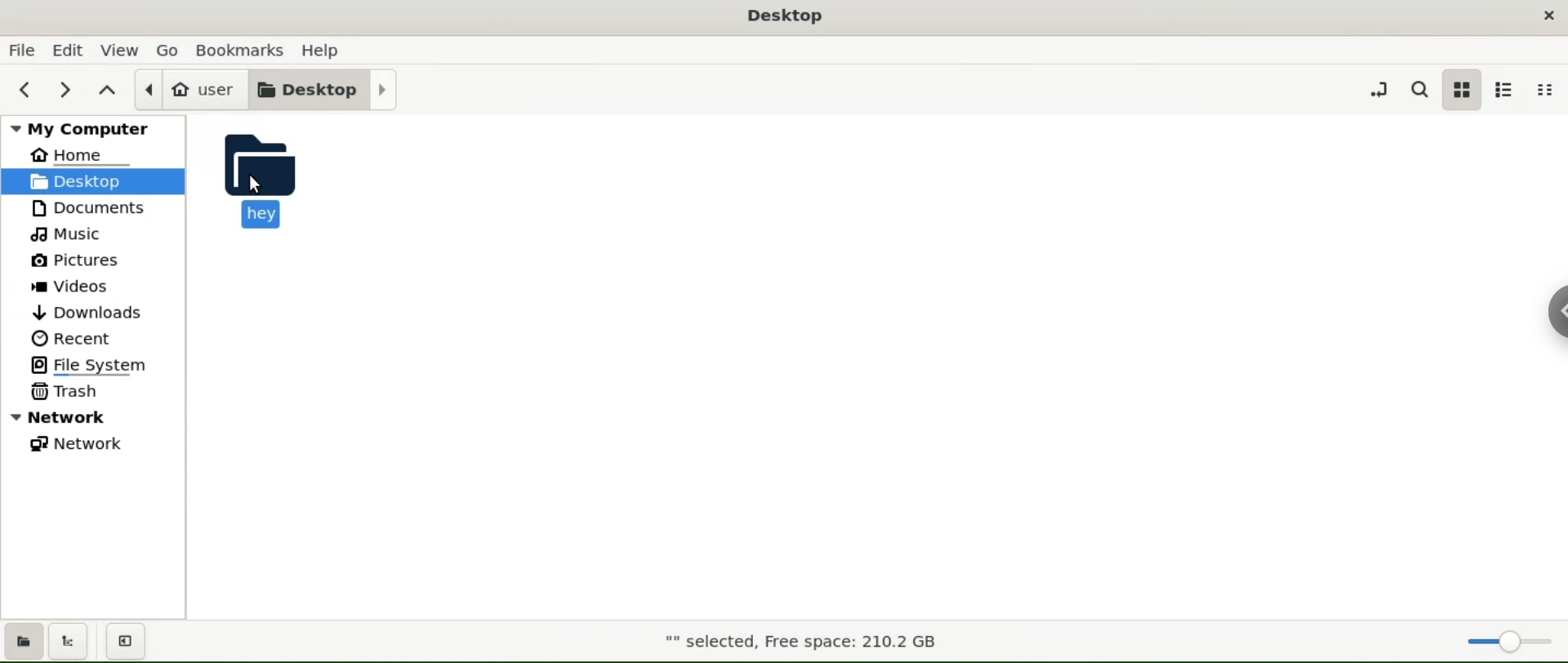  I want to click on search, so click(1419, 90).